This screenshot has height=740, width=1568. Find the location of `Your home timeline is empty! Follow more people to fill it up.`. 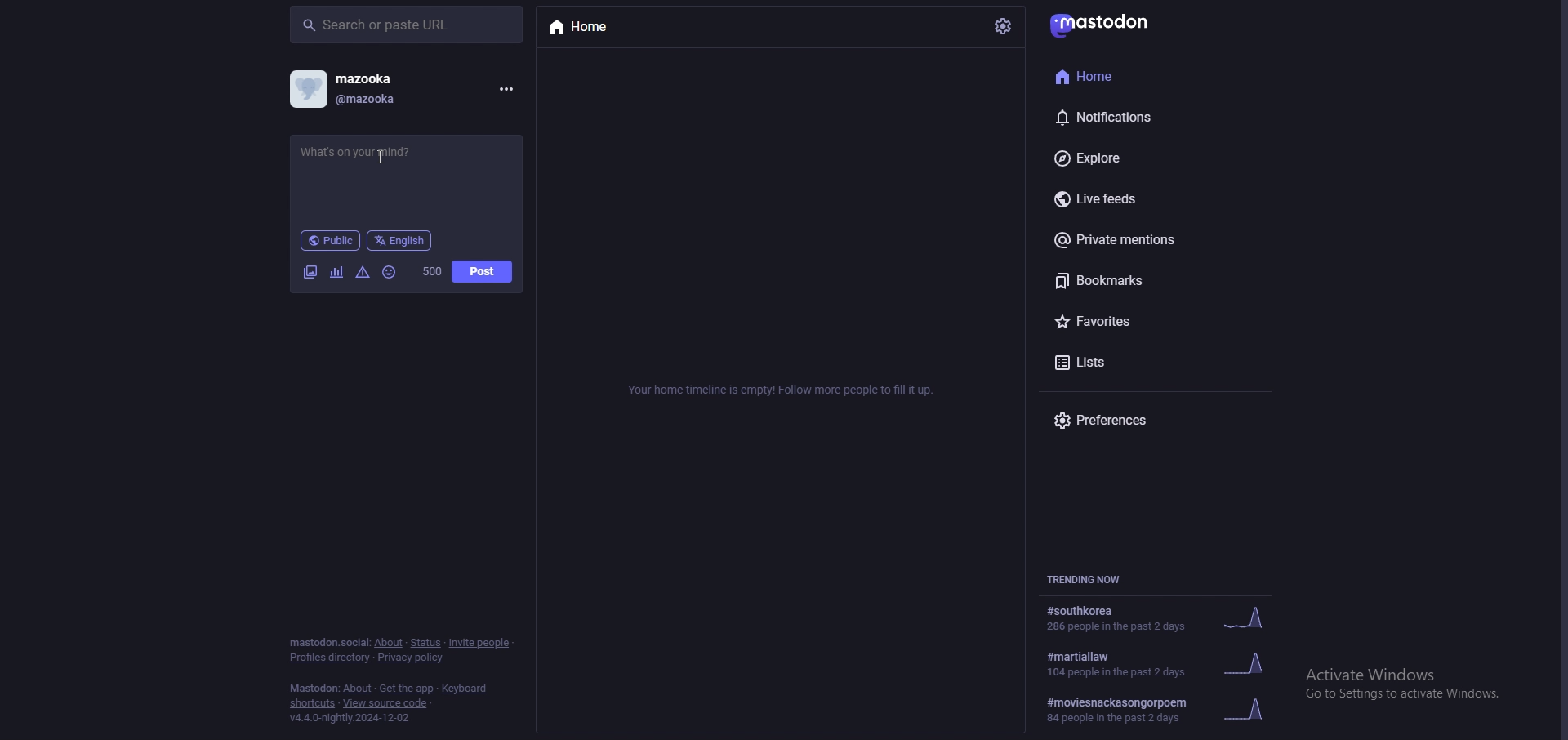

Your home timeline is empty! Follow more people to fill it up. is located at coordinates (780, 390).